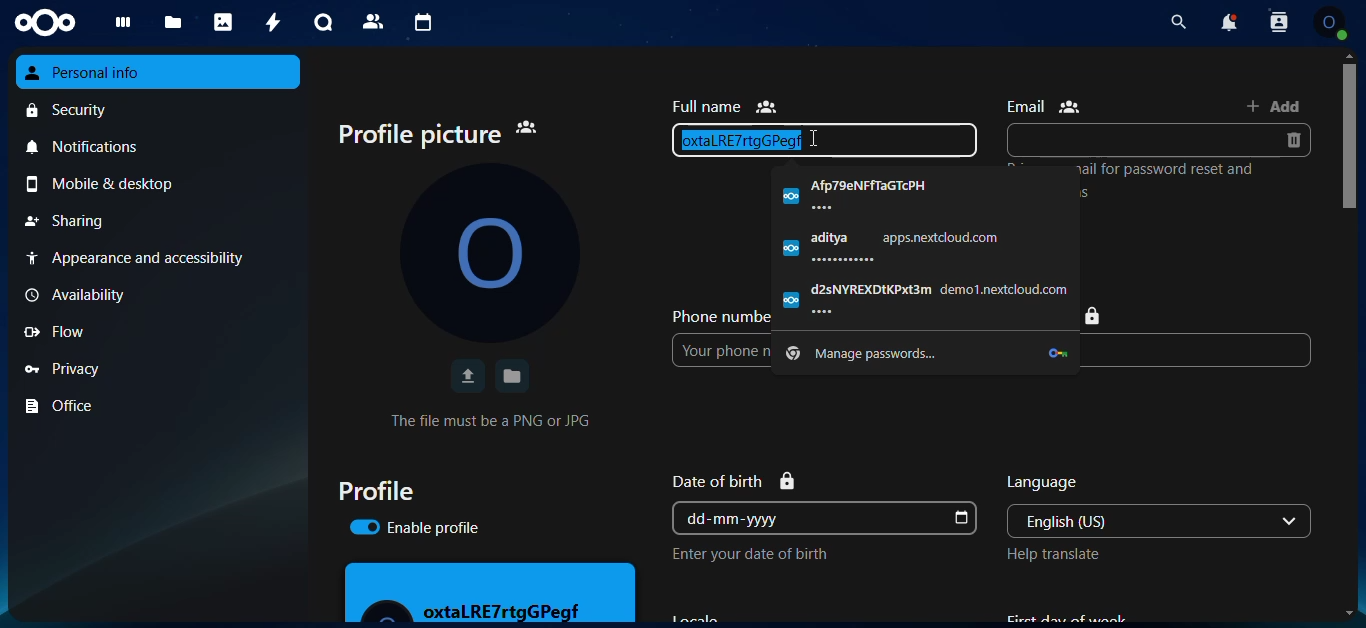 This screenshot has height=628, width=1366. Describe the element at coordinates (824, 140) in the screenshot. I see `oxtalLRE7rtgGPegf` at that location.